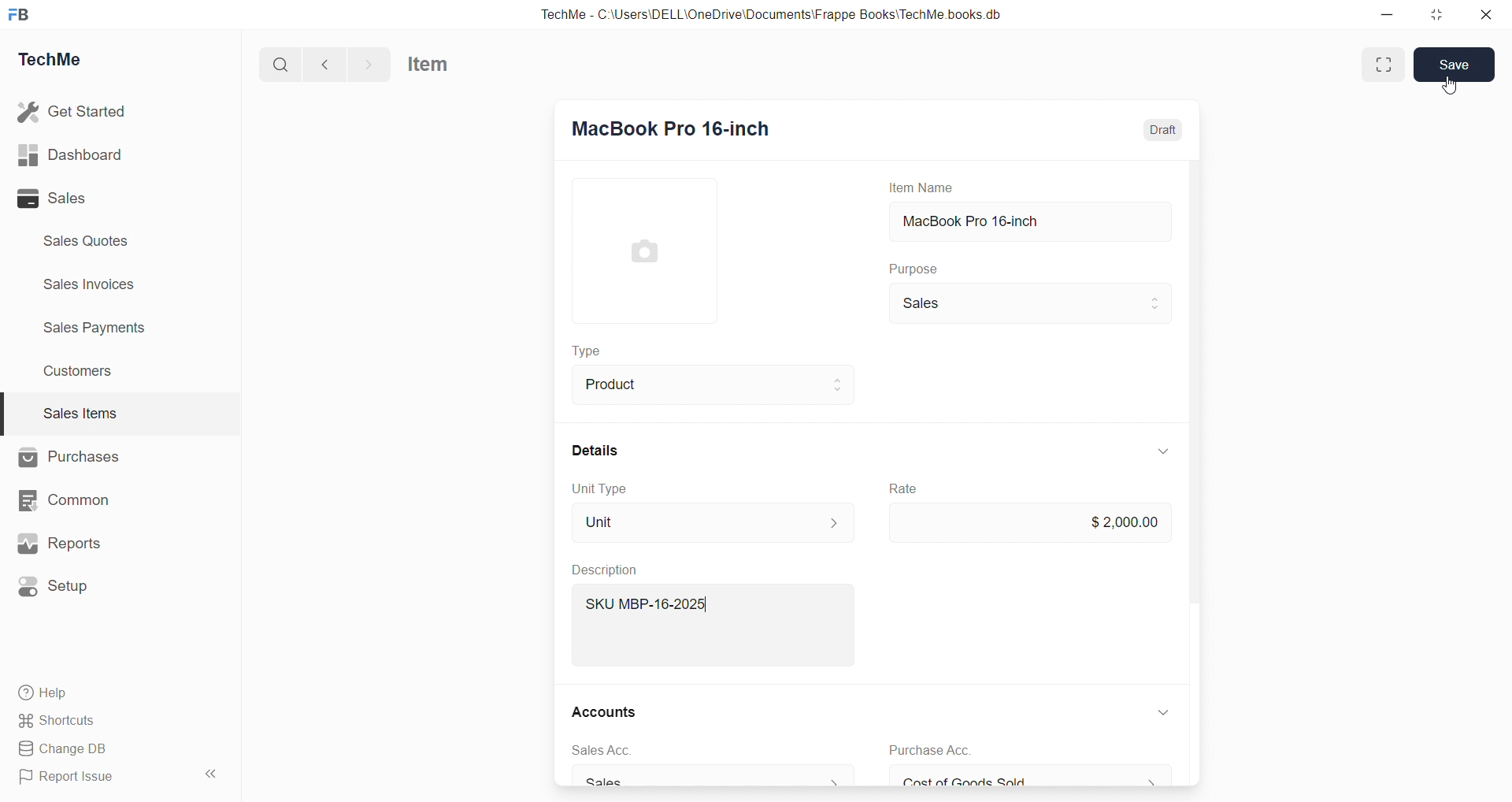 The width and height of the screenshot is (1512, 802). What do you see at coordinates (70, 778) in the screenshot?
I see `Report Issue` at bounding box center [70, 778].